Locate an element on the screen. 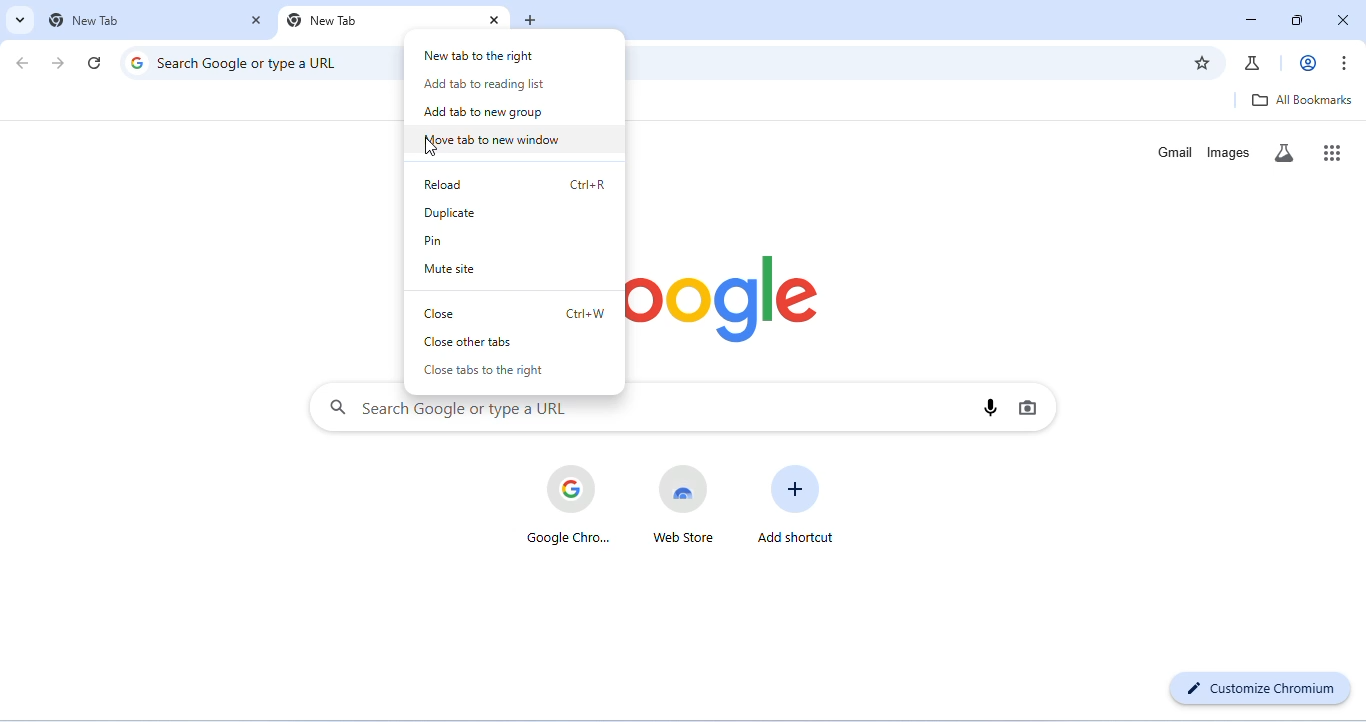 The width and height of the screenshot is (1366, 722). add bookmark is located at coordinates (1198, 61).